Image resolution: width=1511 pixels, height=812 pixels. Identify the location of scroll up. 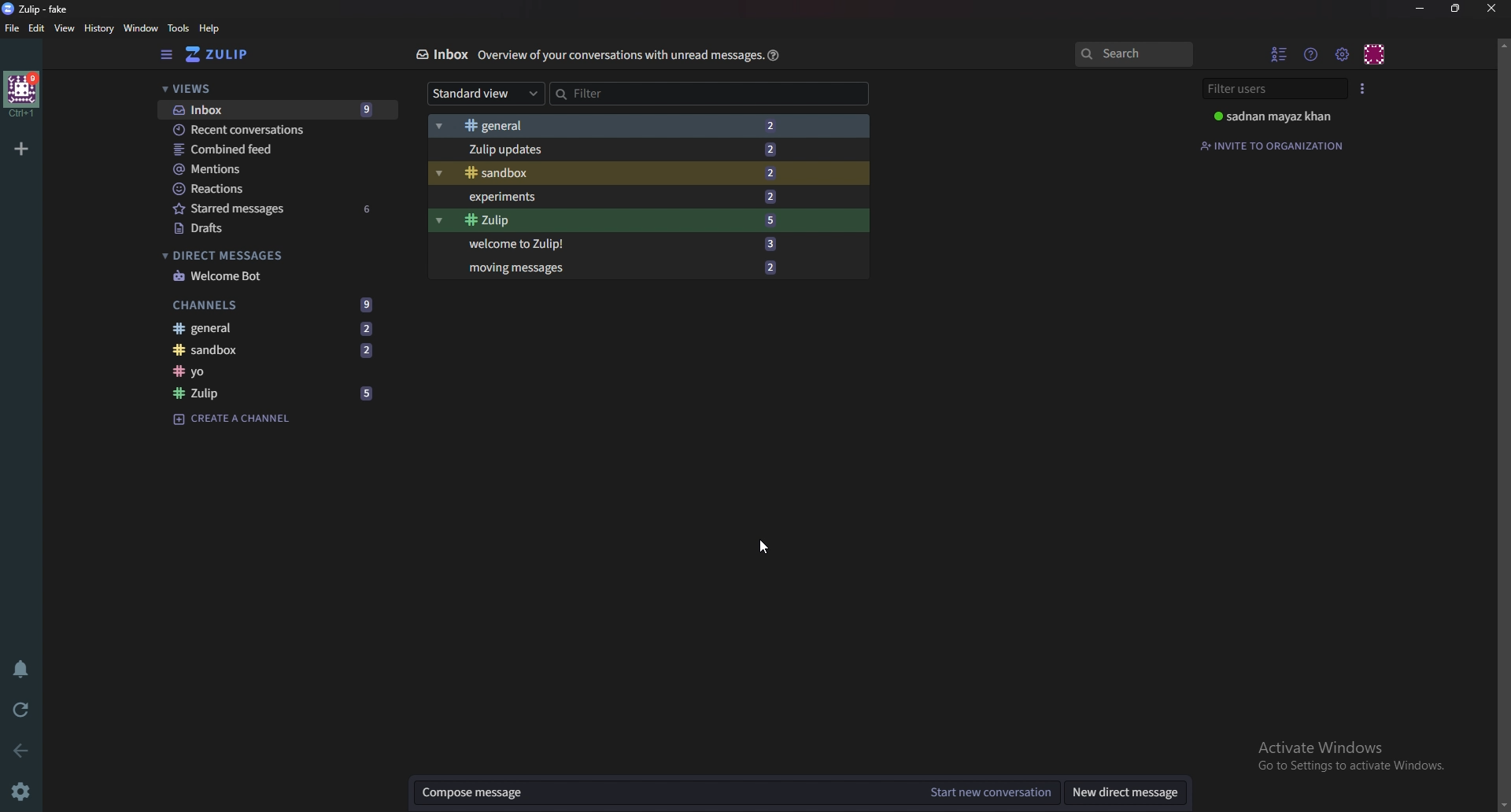
(1502, 45).